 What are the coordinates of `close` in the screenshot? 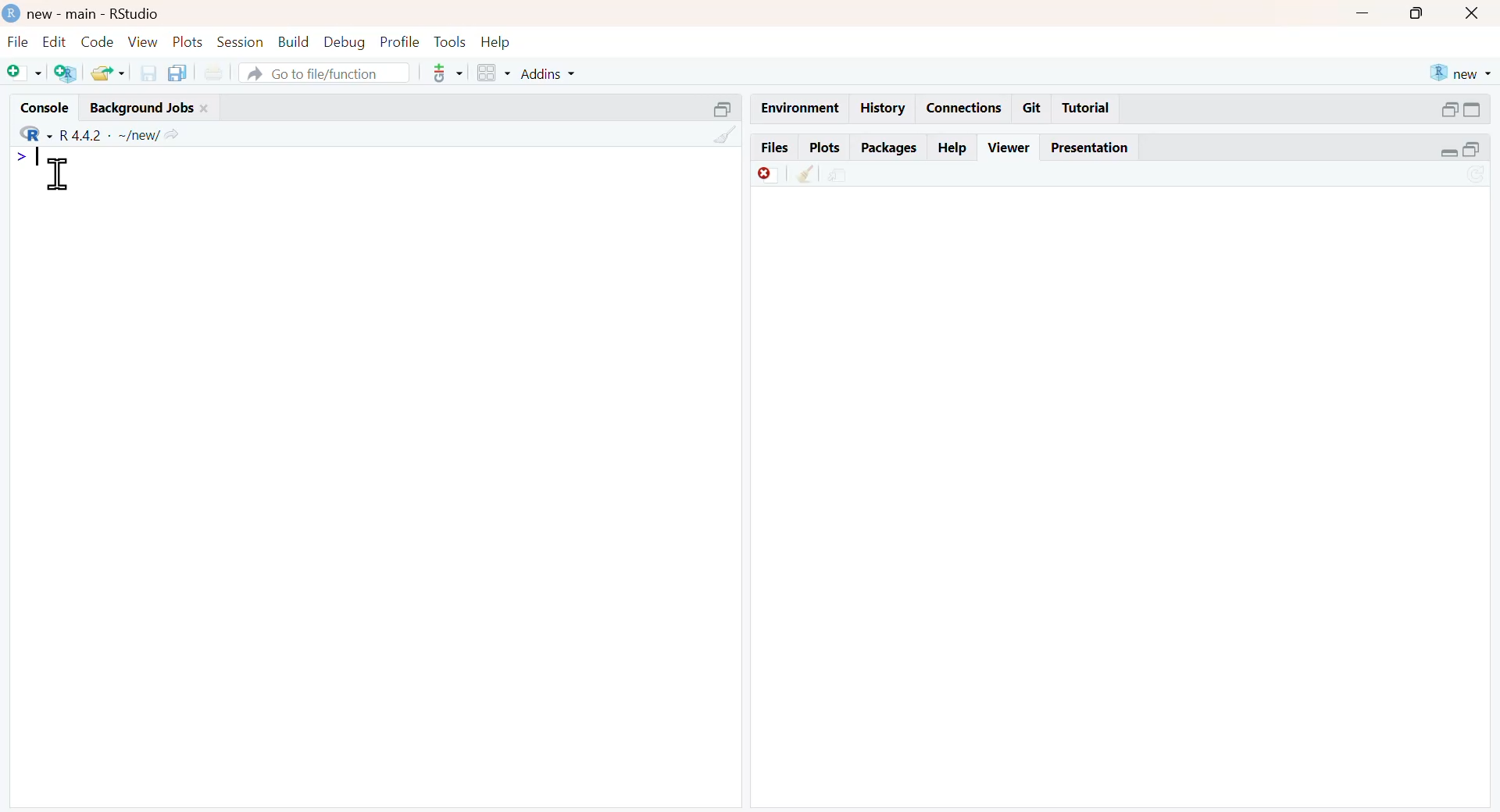 It's located at (1473, 14).